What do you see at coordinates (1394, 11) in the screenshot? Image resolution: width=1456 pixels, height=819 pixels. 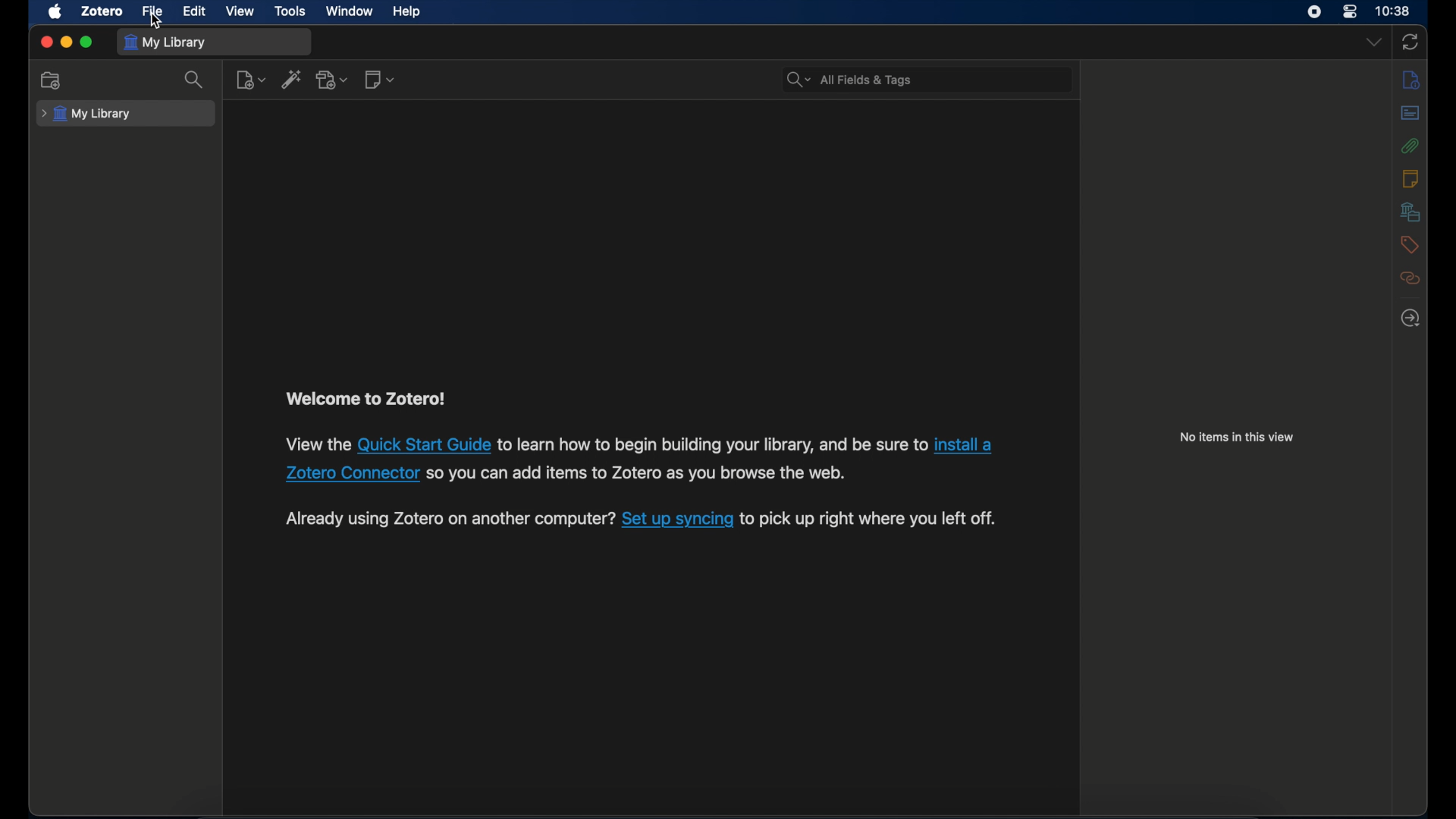 I see `time` at bounding box center [1394, 11].